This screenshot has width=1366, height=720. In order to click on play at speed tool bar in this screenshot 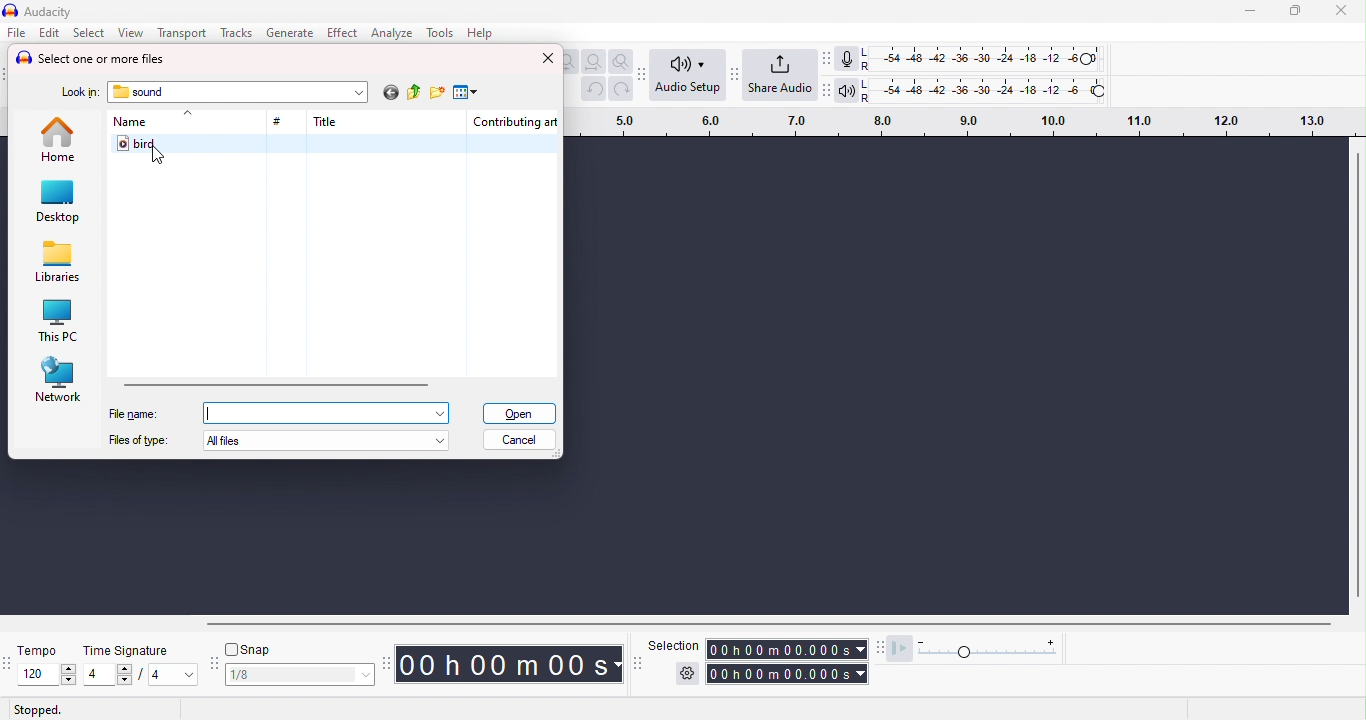, I will do `click(883, 649)`.